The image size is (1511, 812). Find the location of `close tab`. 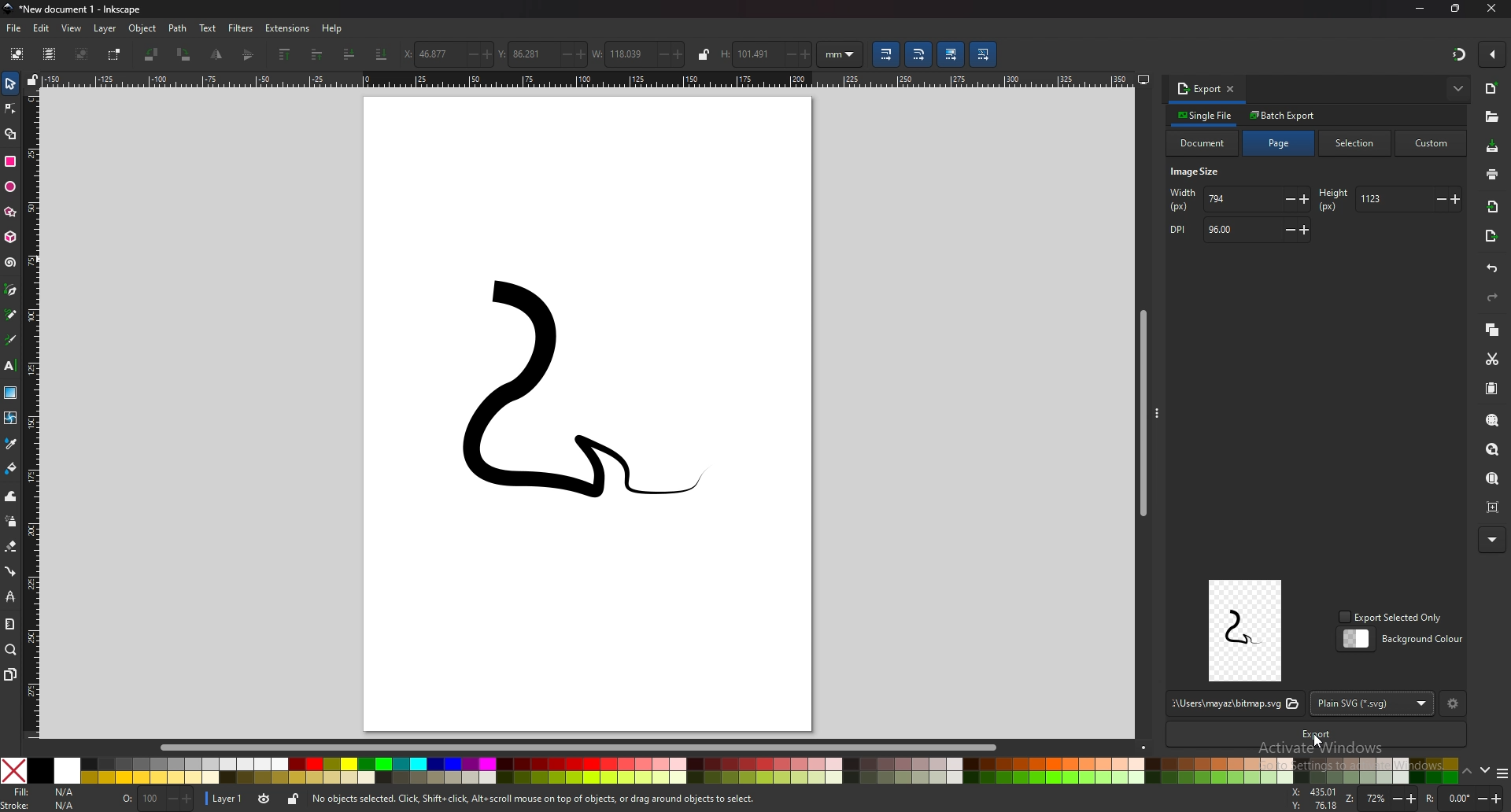

close tab is located at coordinates (1232, 88).